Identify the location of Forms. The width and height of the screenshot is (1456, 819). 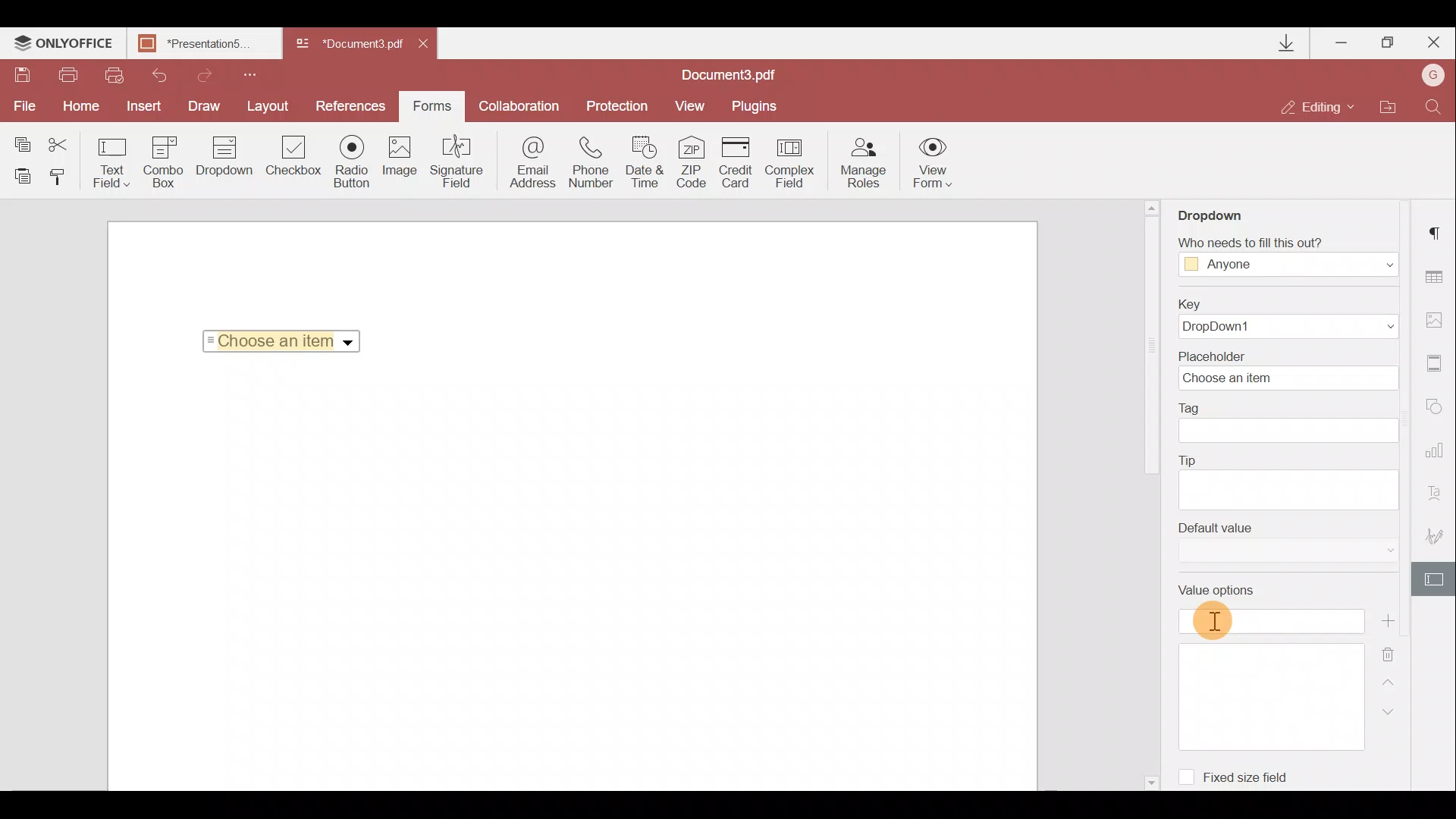
(431, 101).